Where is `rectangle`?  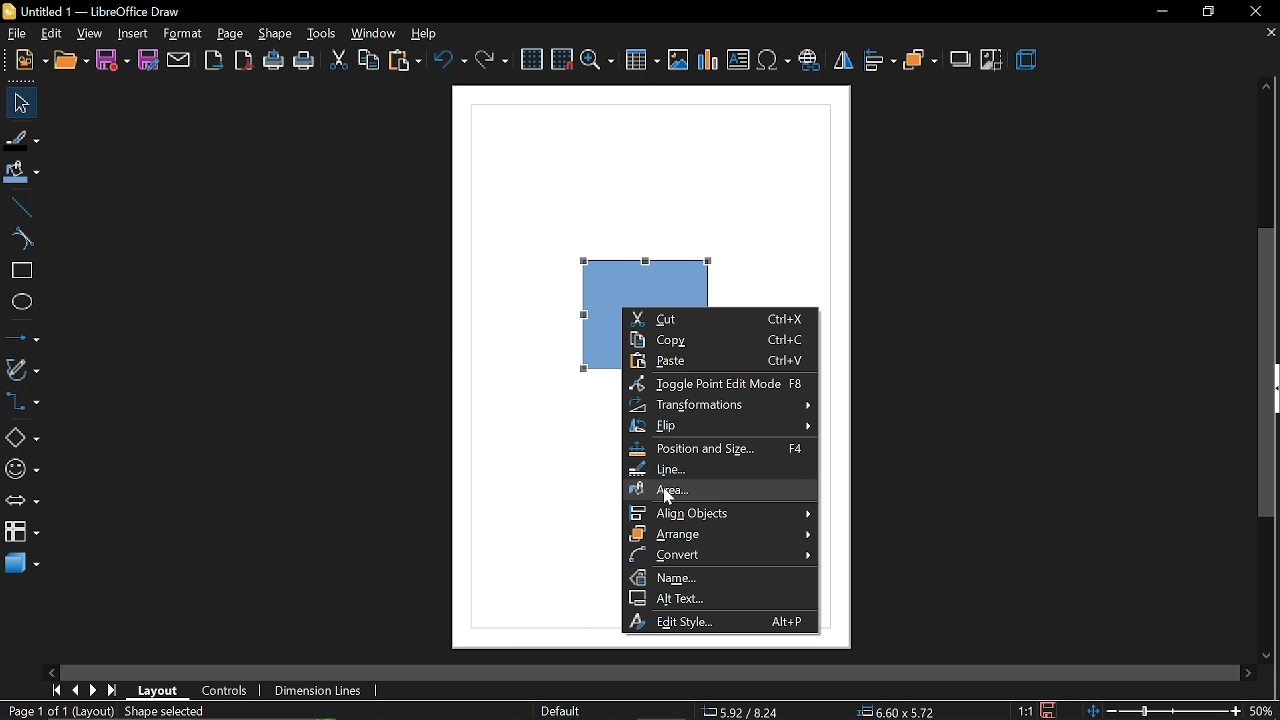
rectangle is located at coordinates (19, 271).